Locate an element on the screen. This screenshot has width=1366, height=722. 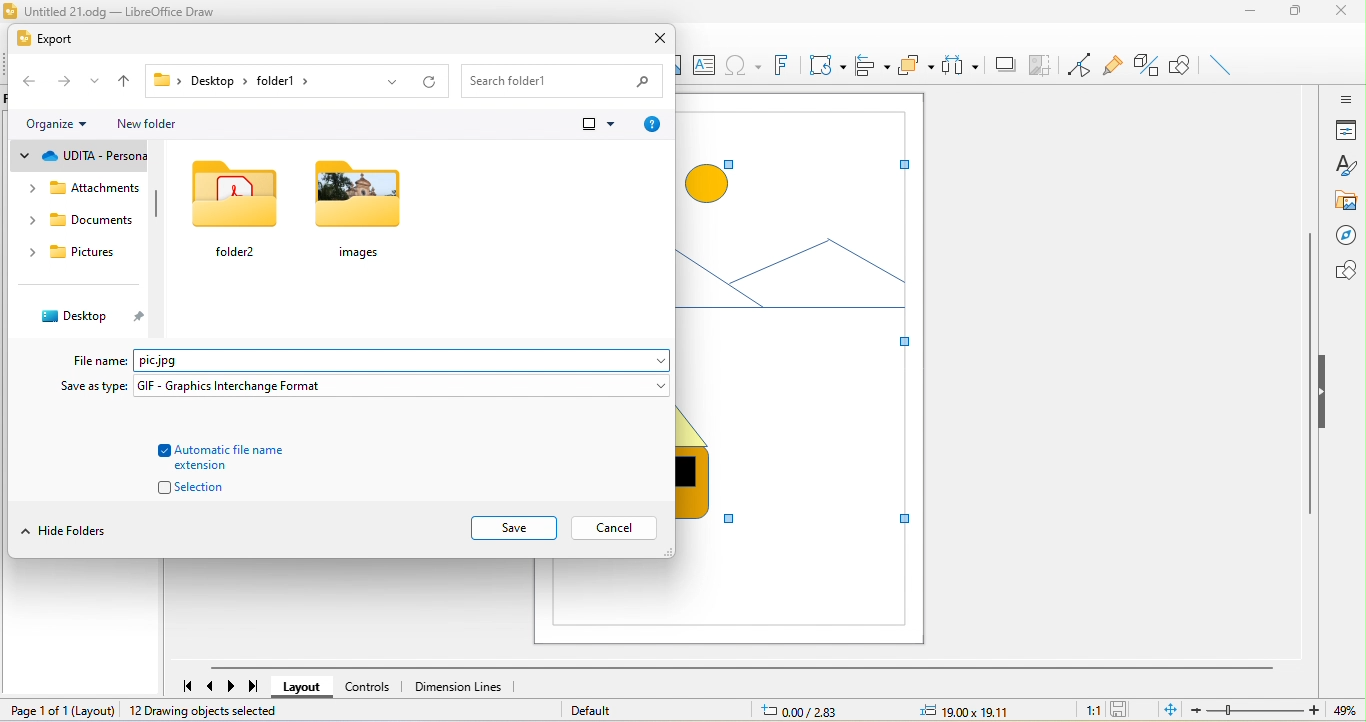
hide is located at coordinates (1327, 395).